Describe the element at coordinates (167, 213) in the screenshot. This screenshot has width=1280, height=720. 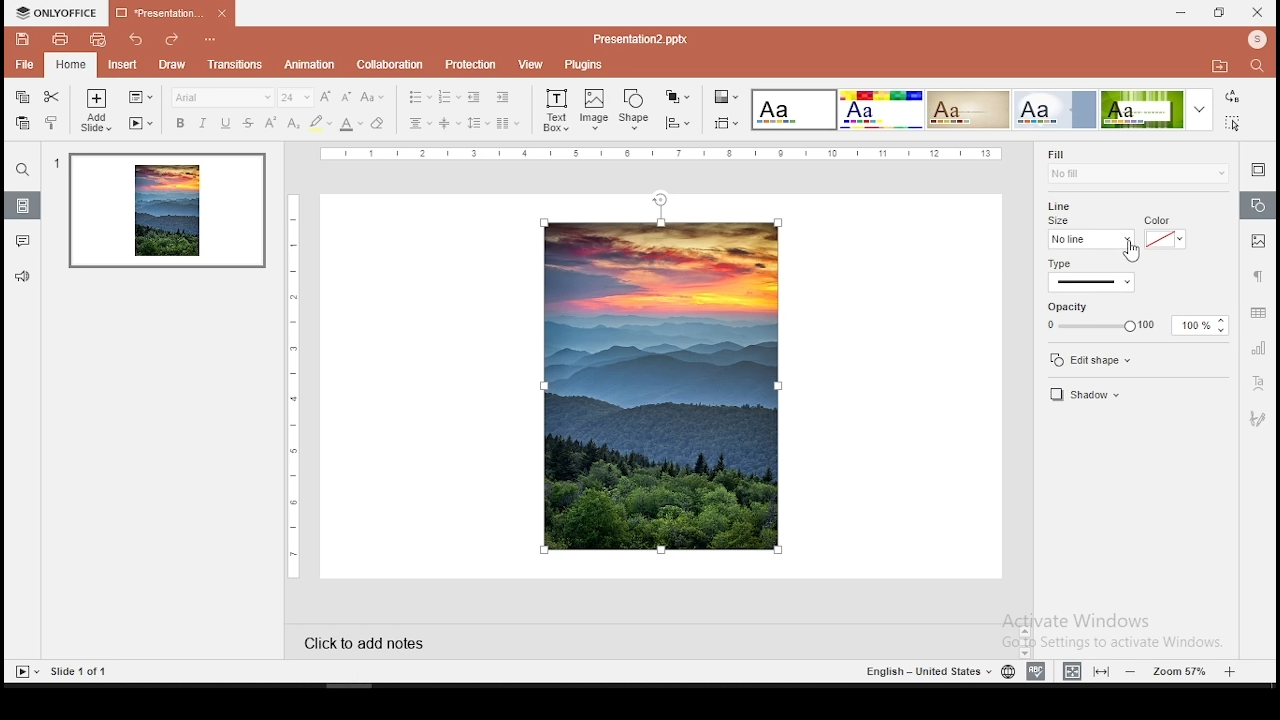
I see `slide 1` at that location.